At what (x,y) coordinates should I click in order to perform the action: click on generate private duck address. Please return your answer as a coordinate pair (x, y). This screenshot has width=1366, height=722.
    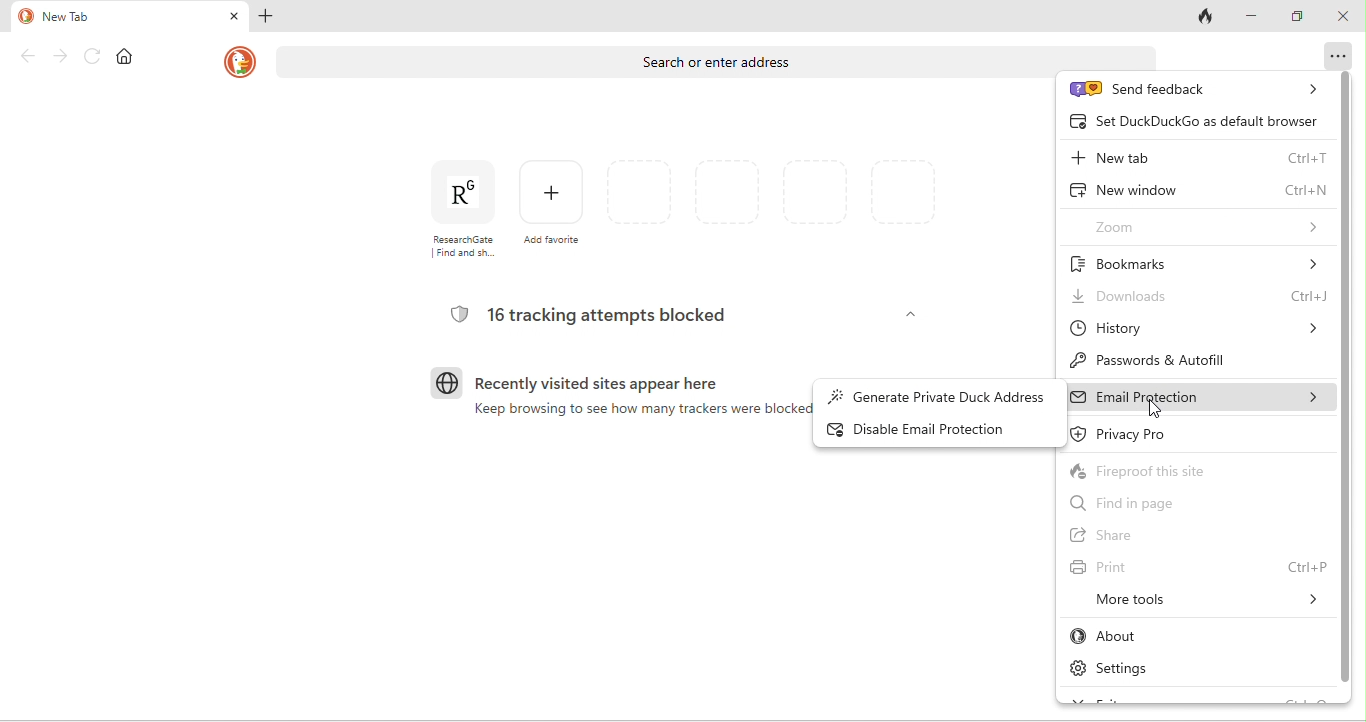
    Looking at the image, I should click on (937, 393).